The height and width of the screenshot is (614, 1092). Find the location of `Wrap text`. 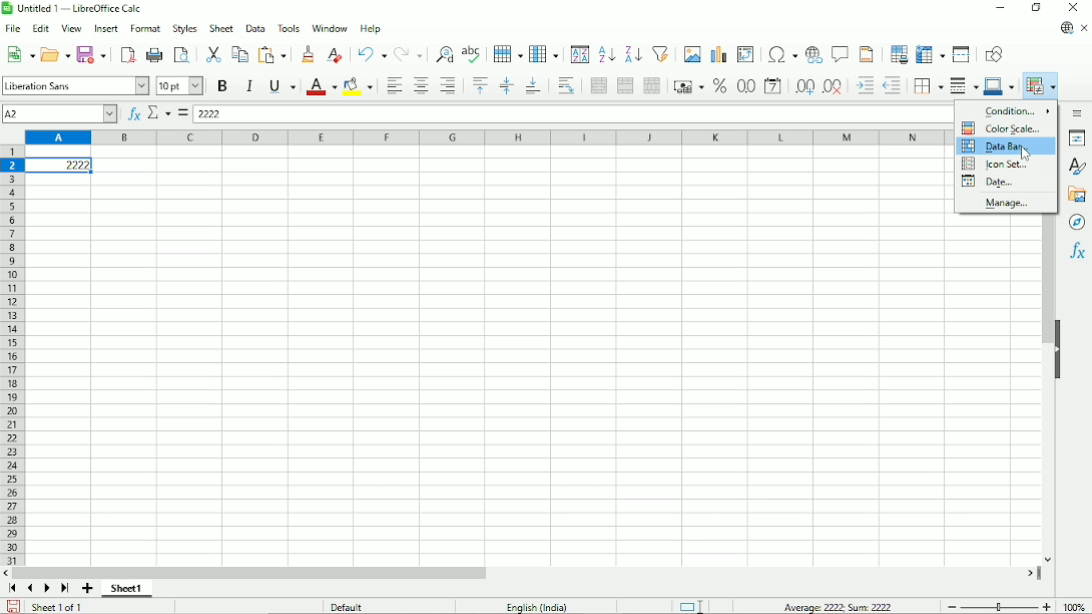

Wrap text is located at coordinates (567, 86).